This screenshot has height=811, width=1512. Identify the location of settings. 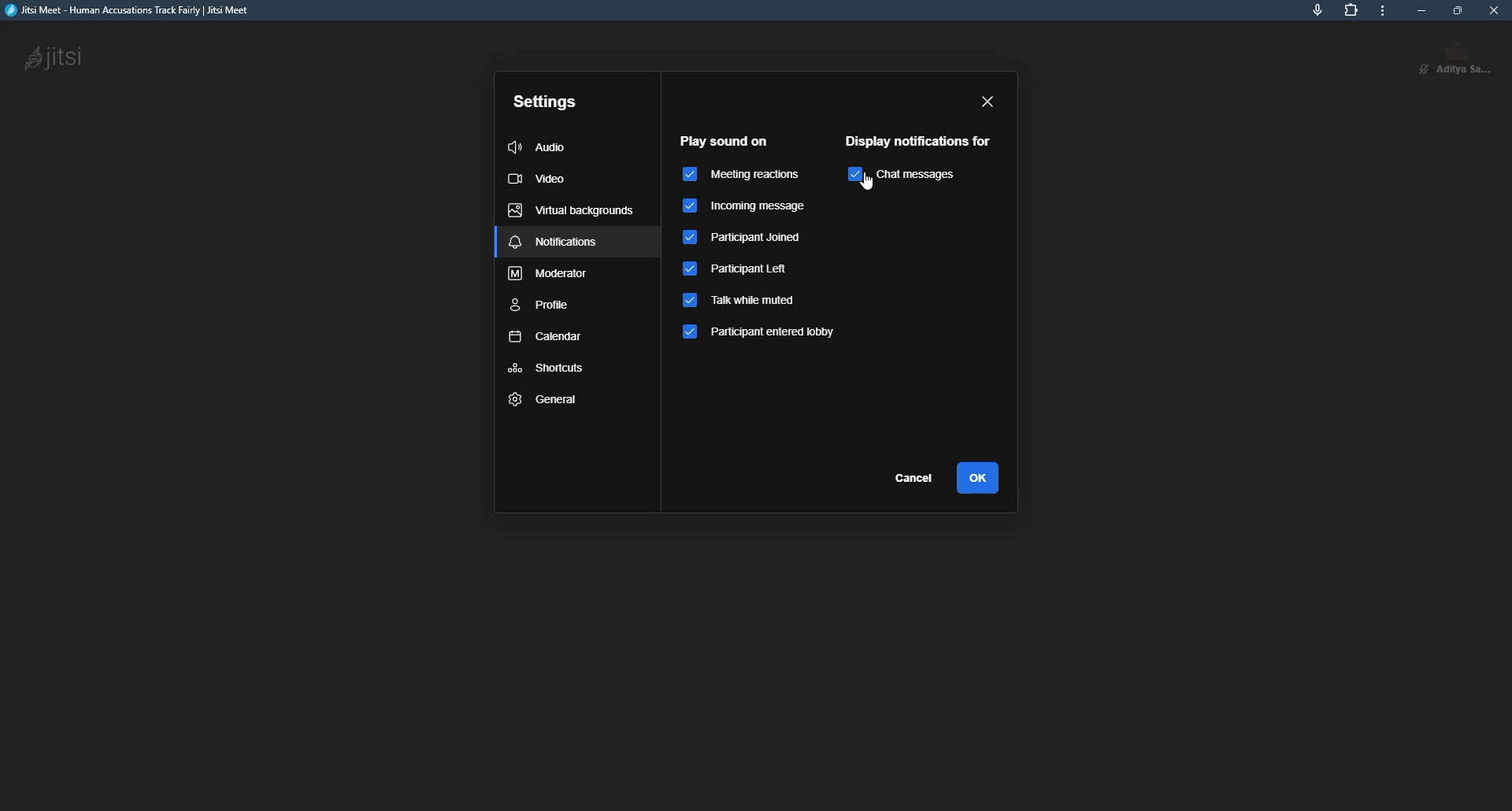
(543, 104).